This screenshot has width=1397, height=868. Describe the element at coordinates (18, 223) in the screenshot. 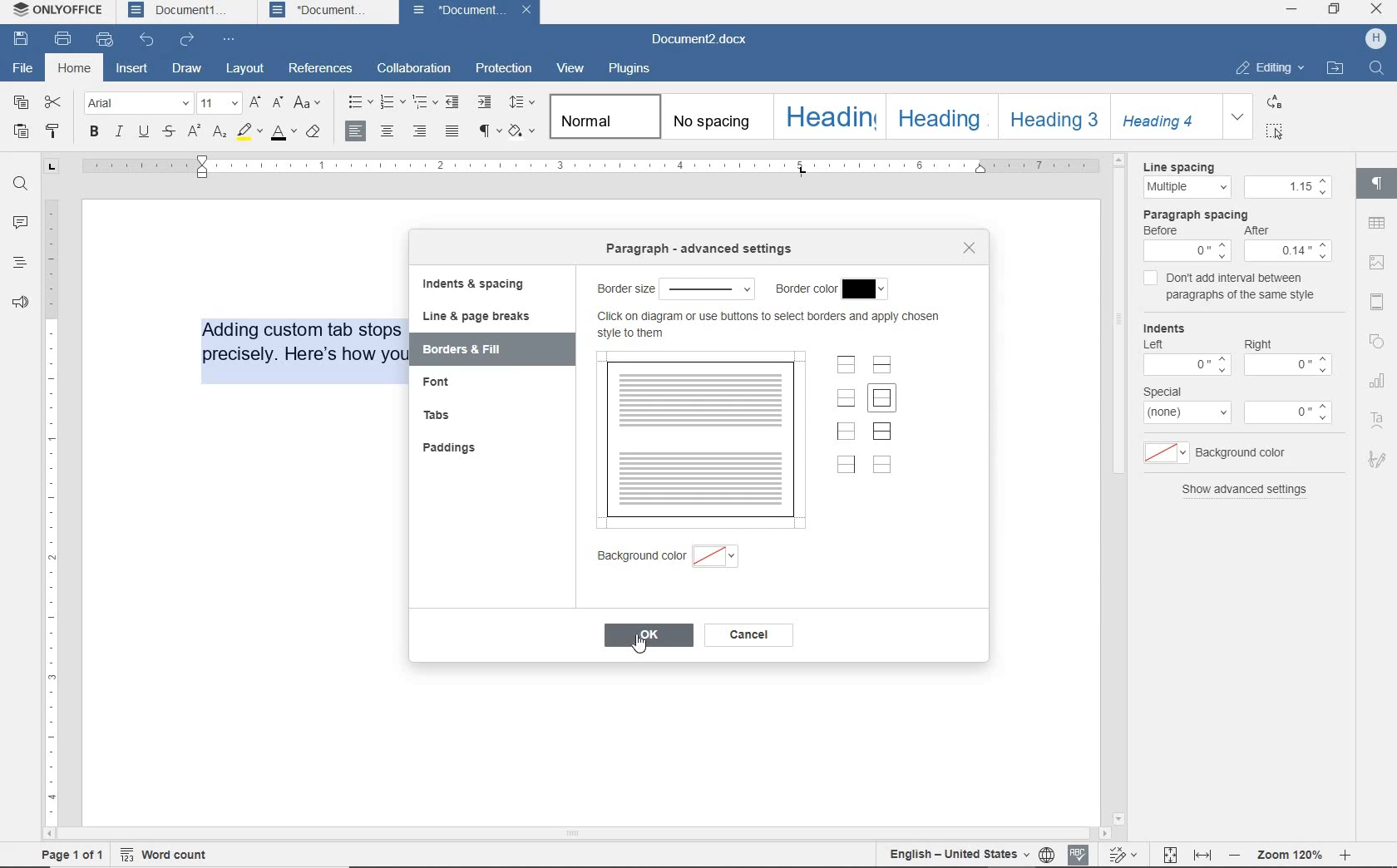

I see `comments` at that location.